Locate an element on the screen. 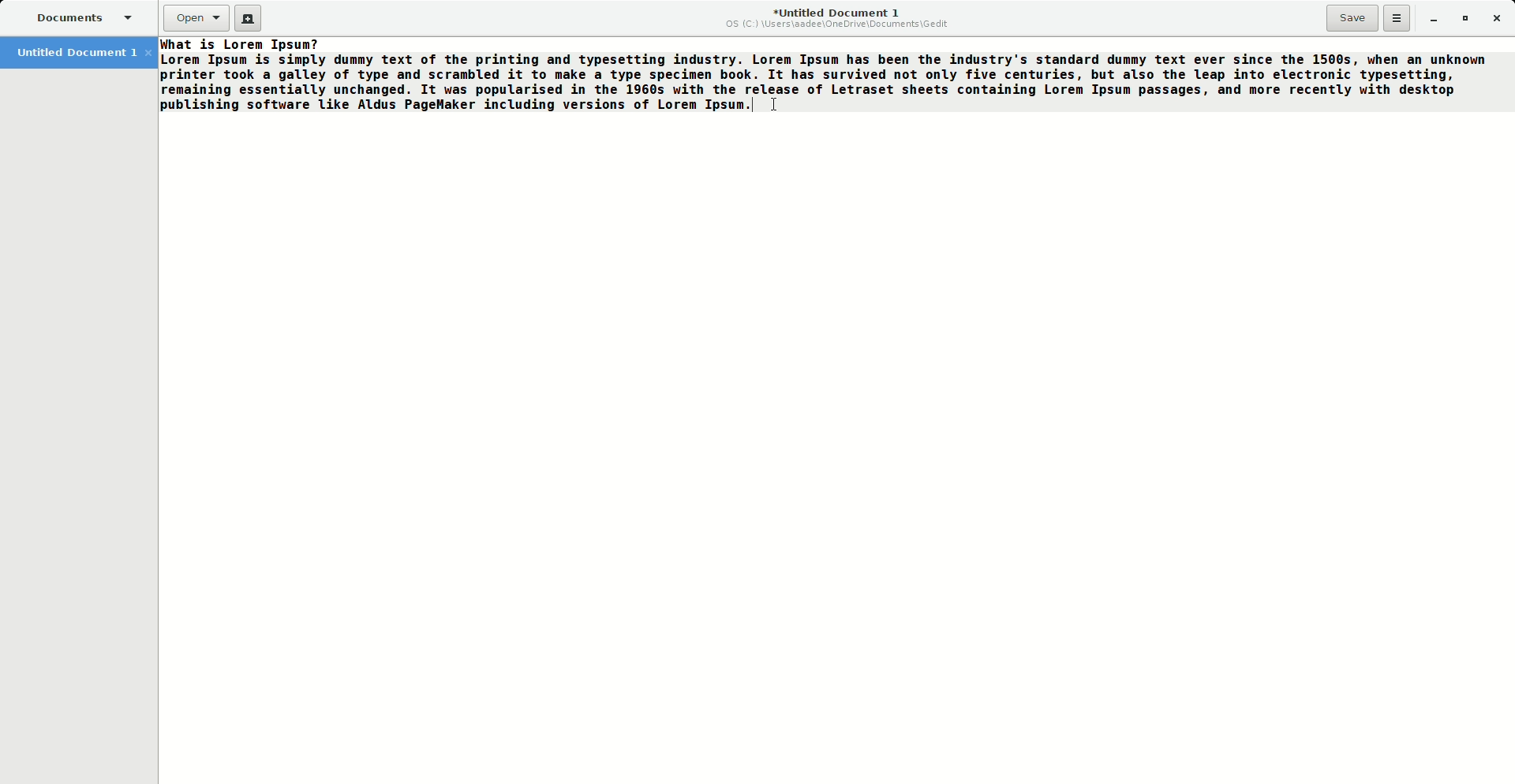 Image resolution: width=1515 pixels, height=784 pixels. New is located at coordinates (250, 21).